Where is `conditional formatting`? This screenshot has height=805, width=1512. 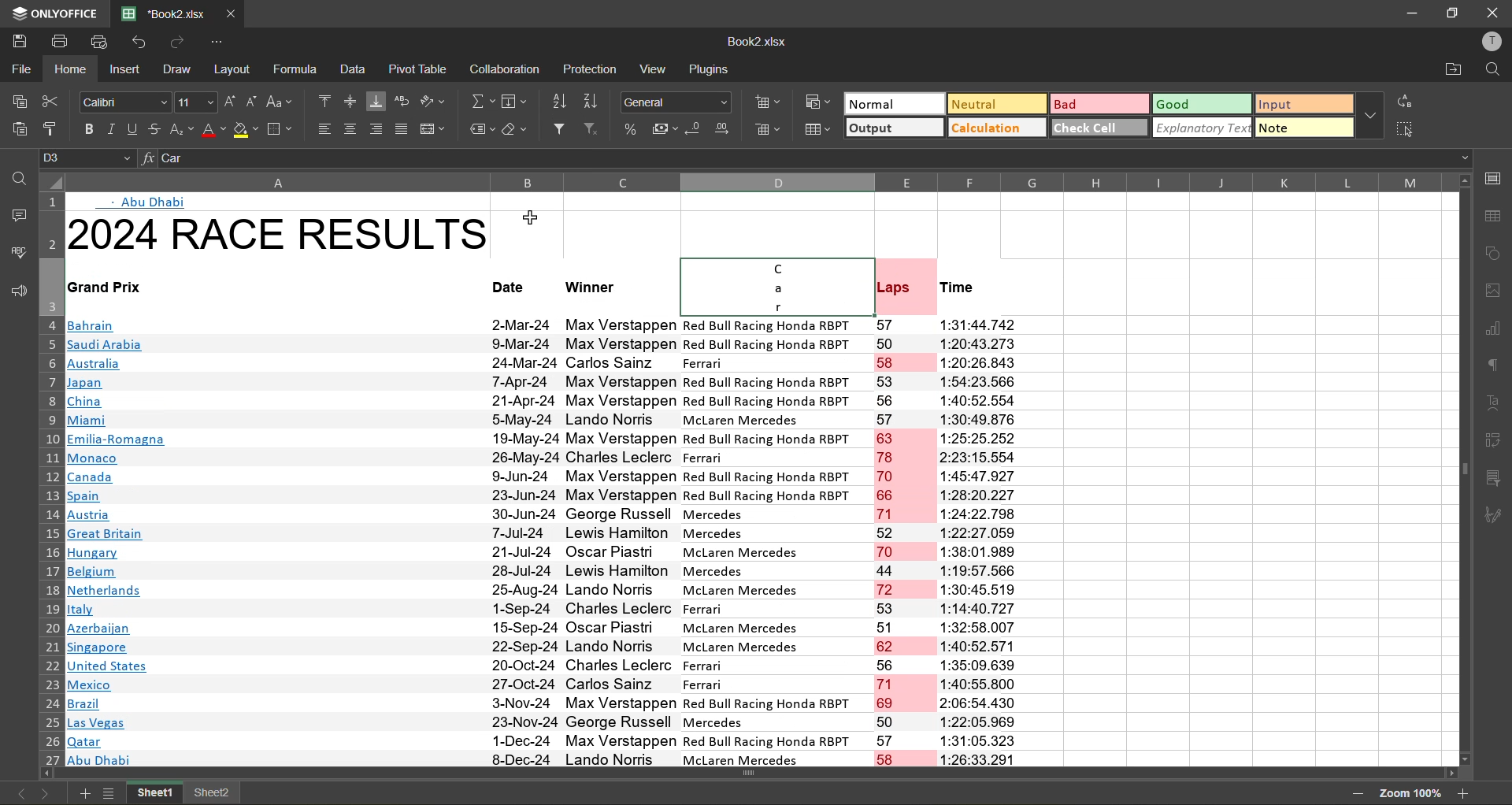 conditional formatting is located at coordinates (821, 103).